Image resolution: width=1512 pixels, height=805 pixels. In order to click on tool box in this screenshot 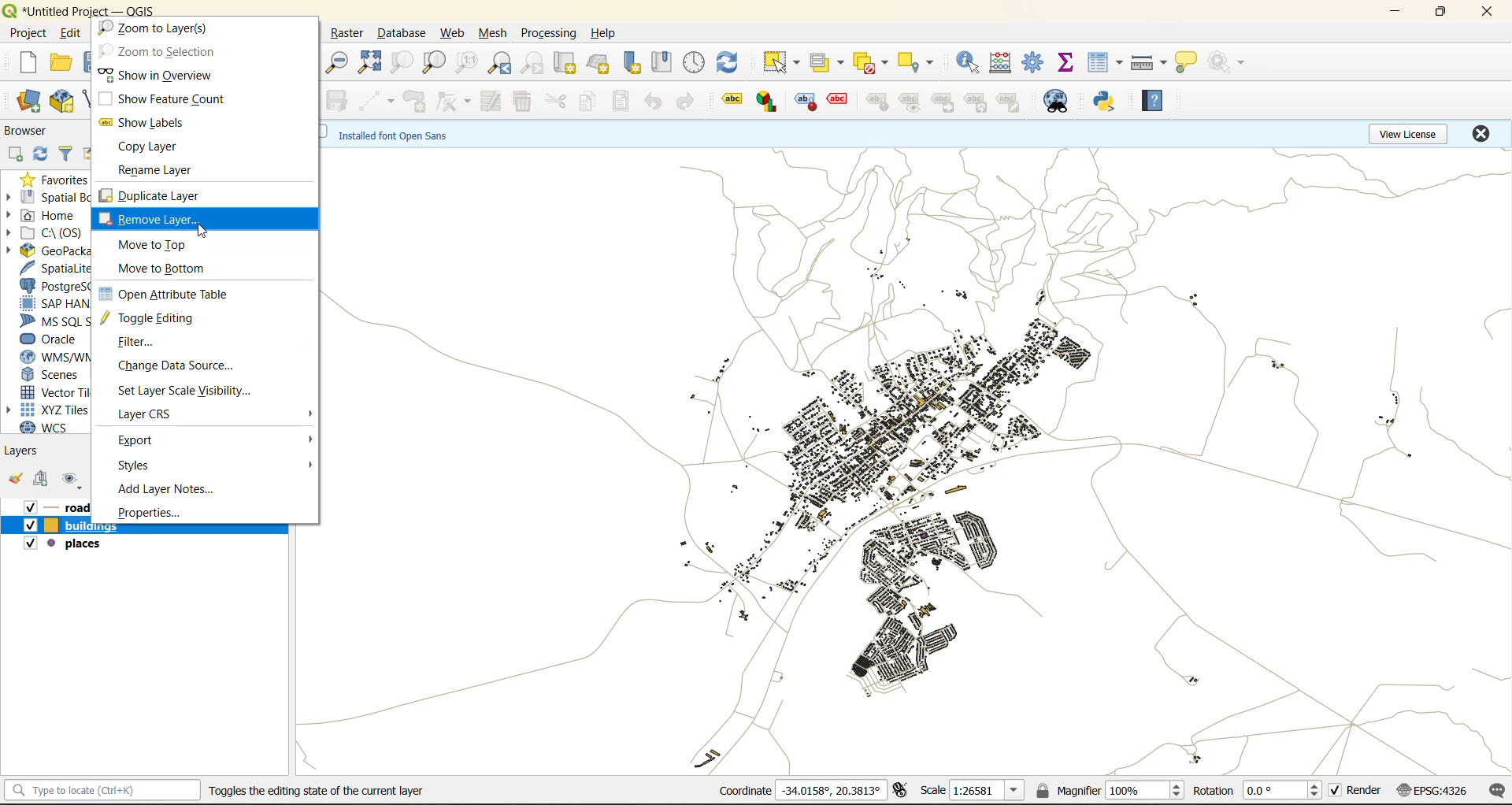, I will do `click(1037, 64)`.